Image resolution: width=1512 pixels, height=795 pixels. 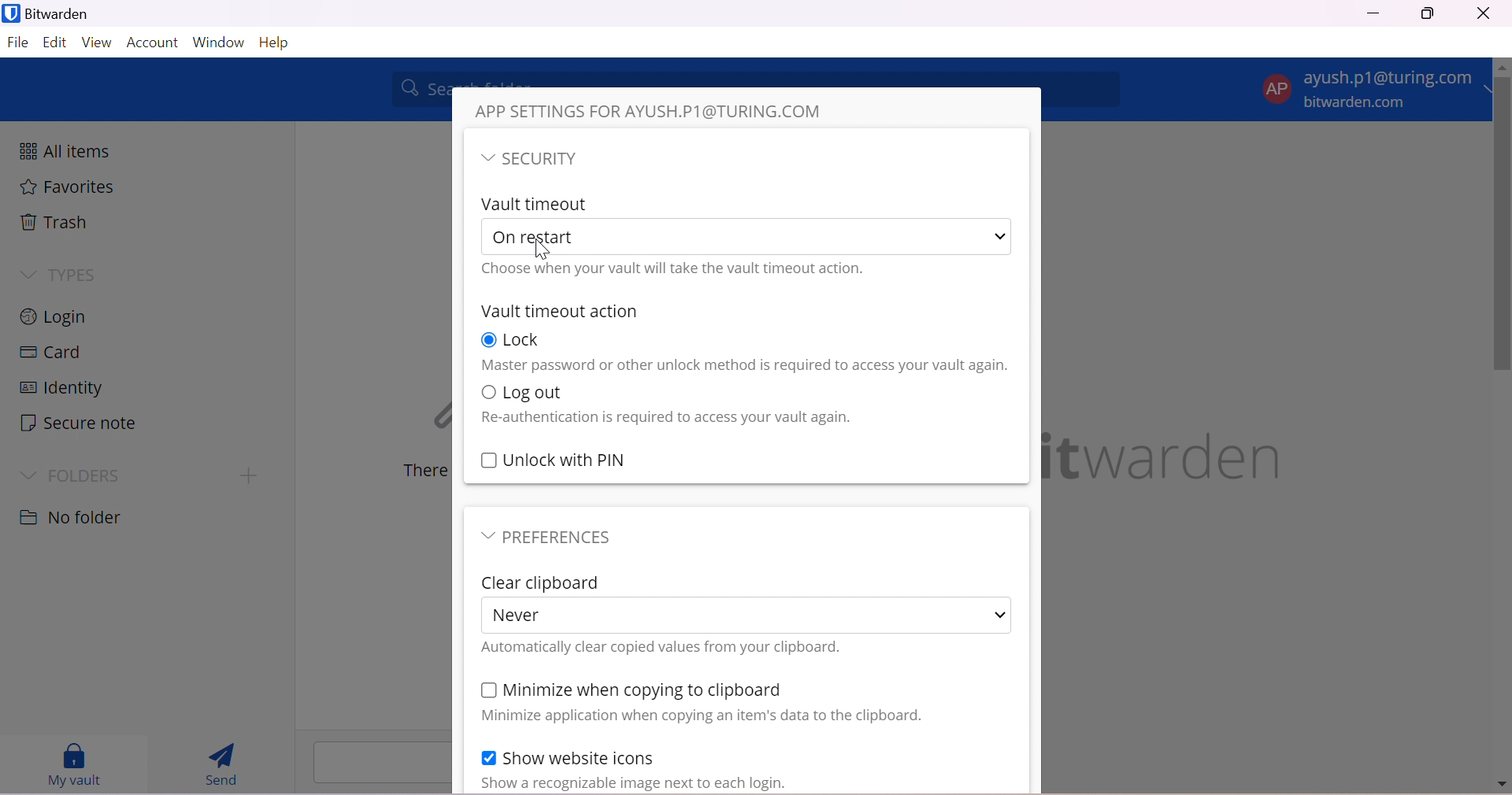 I want to click on , so click(x=579, y=759).